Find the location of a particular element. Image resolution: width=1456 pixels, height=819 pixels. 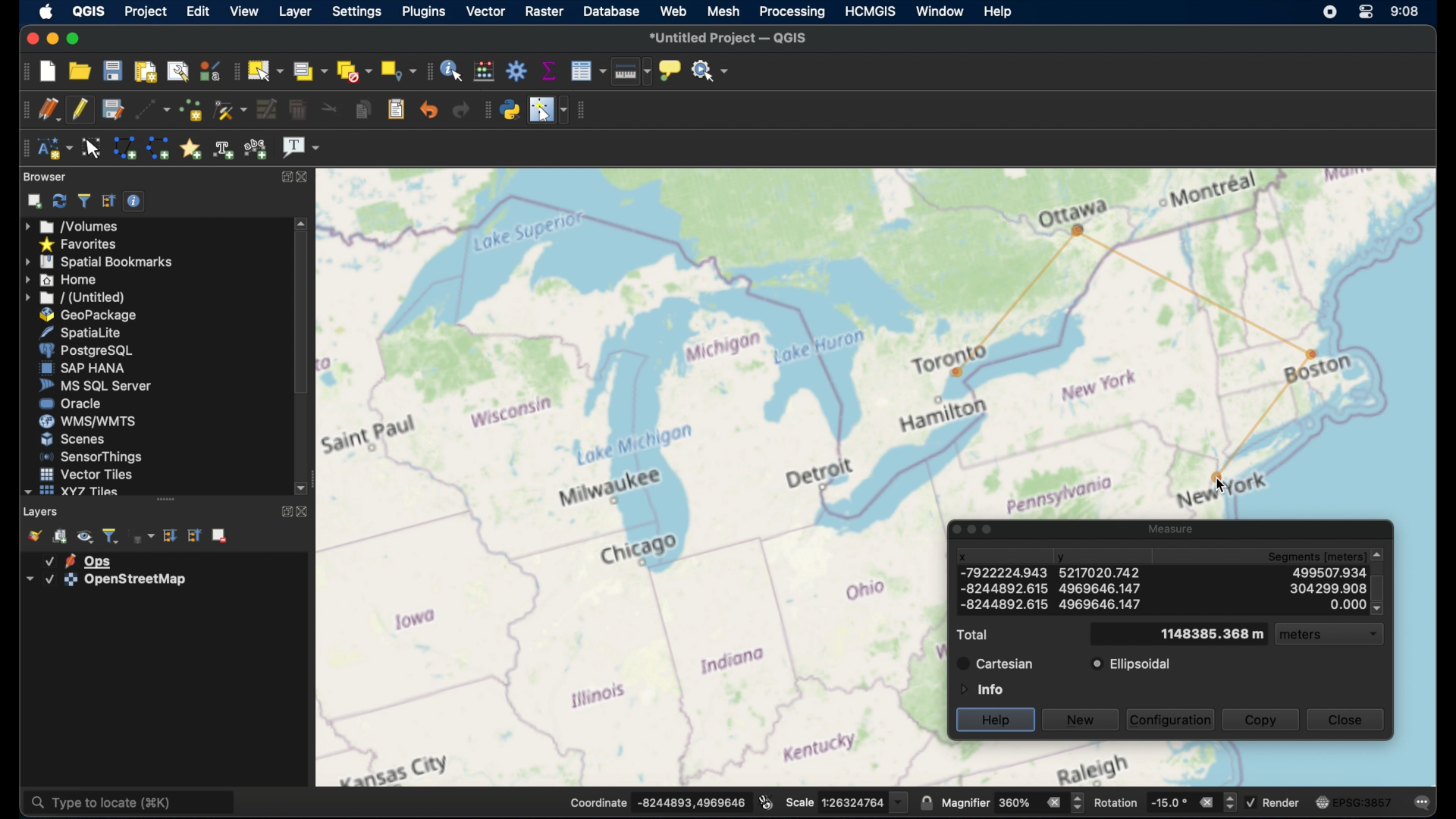

information is located at coordinates (980, 688).